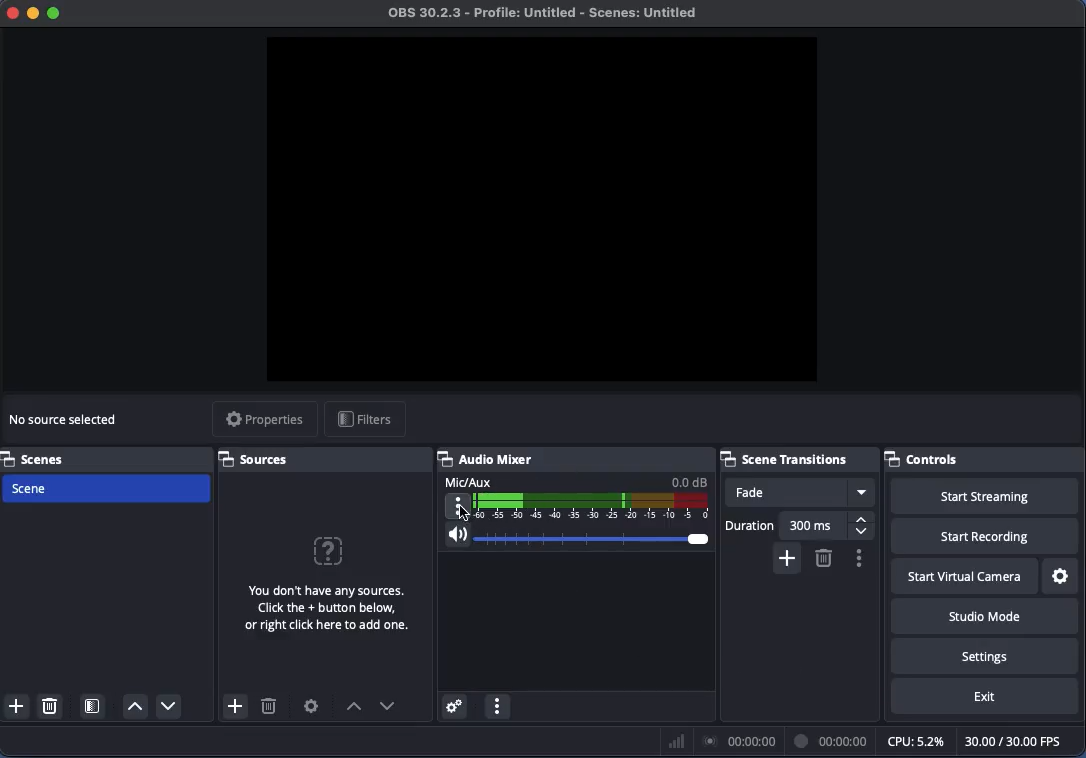 The height and width of the screenshot is (758, 1086). Describe the element at coordinates (497, 707) in the screenshot. I see `Audio mixer menu` at that location.